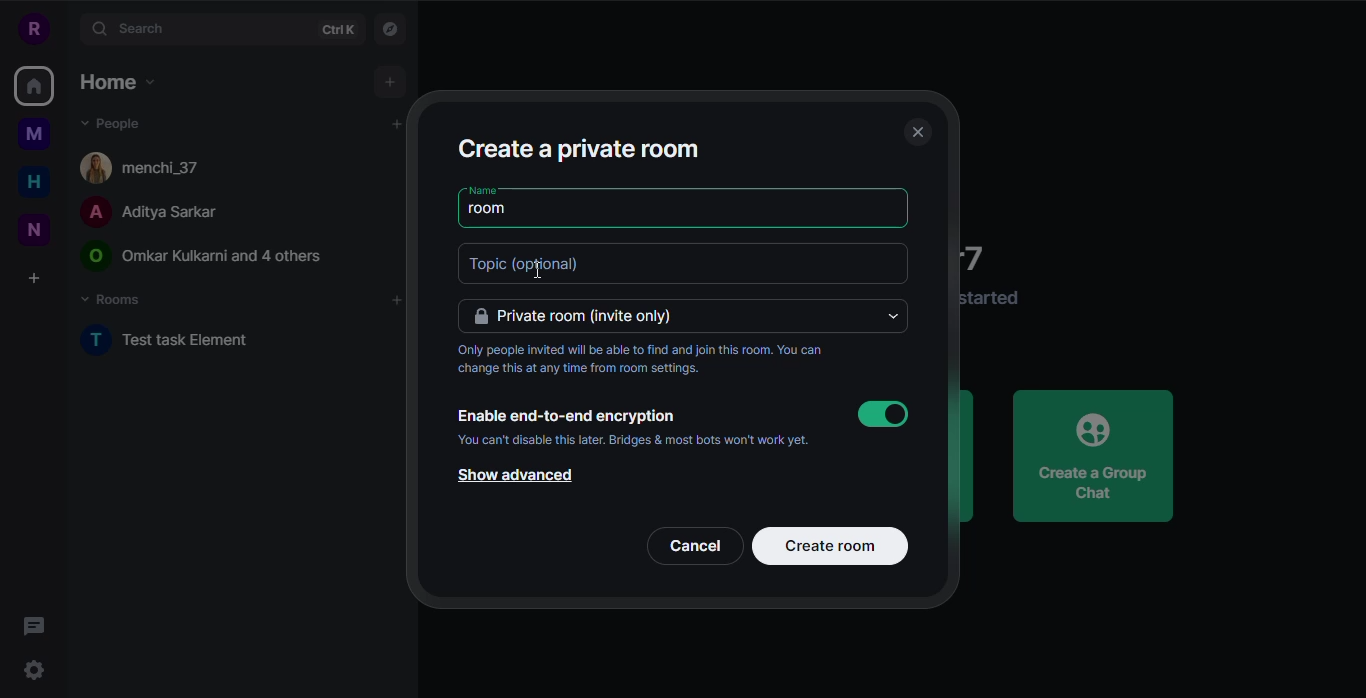  Describe the element at coordinates (532, 272) in the screenshot. I see `Text cursor` at that location.